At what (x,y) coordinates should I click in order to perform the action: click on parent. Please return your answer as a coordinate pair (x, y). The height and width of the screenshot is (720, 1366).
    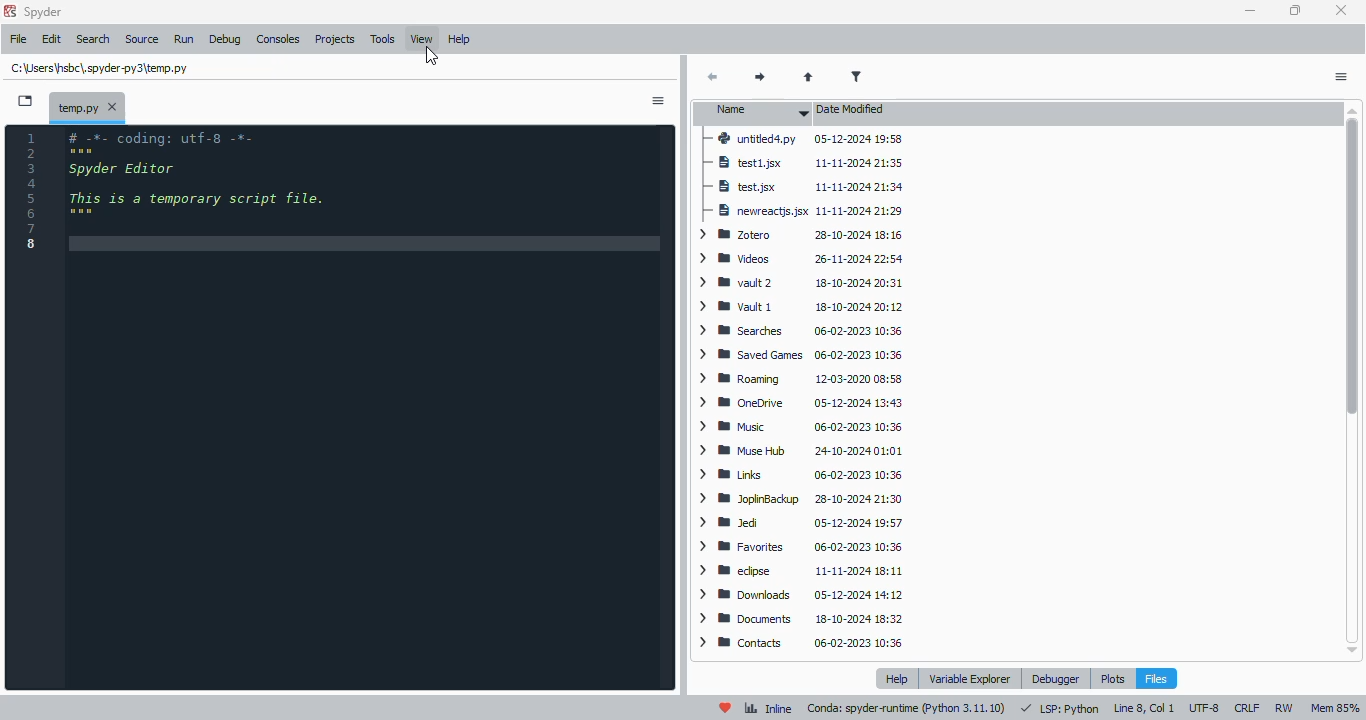
    Looking at the image, I should click on (809, 77).